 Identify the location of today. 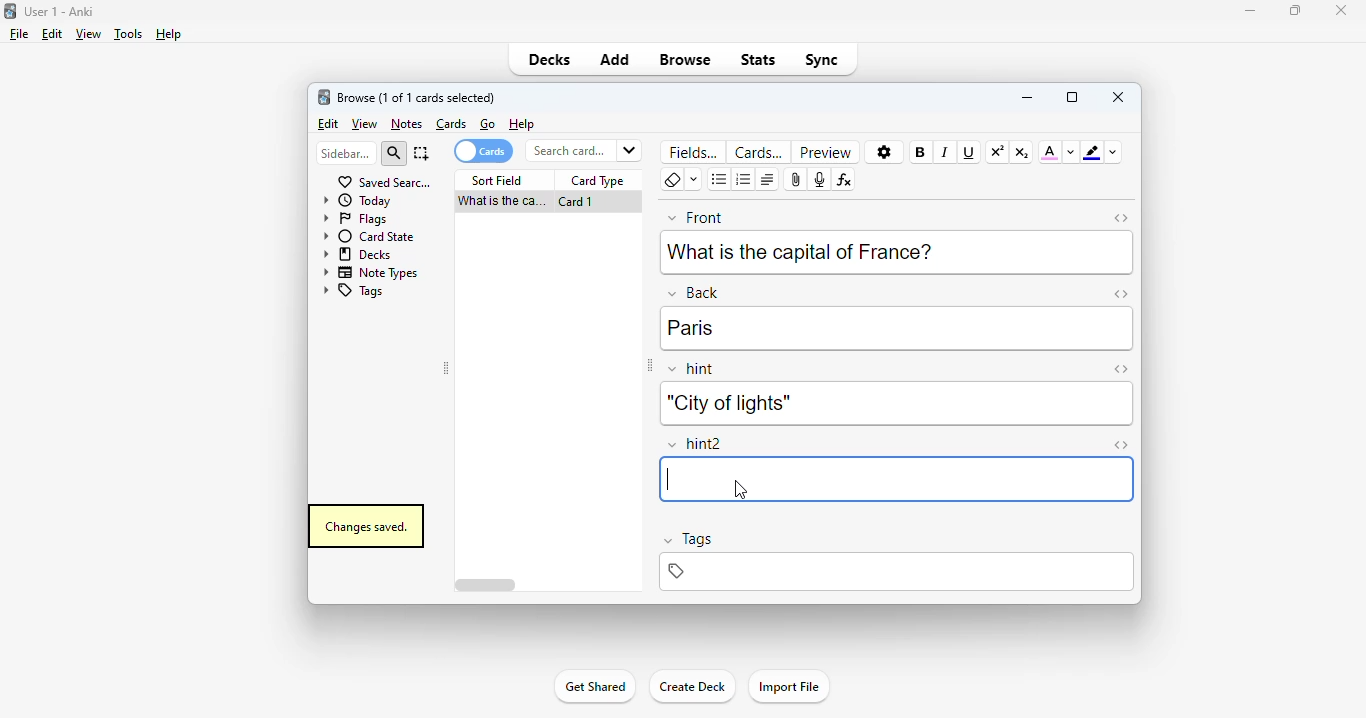
(357, 200).